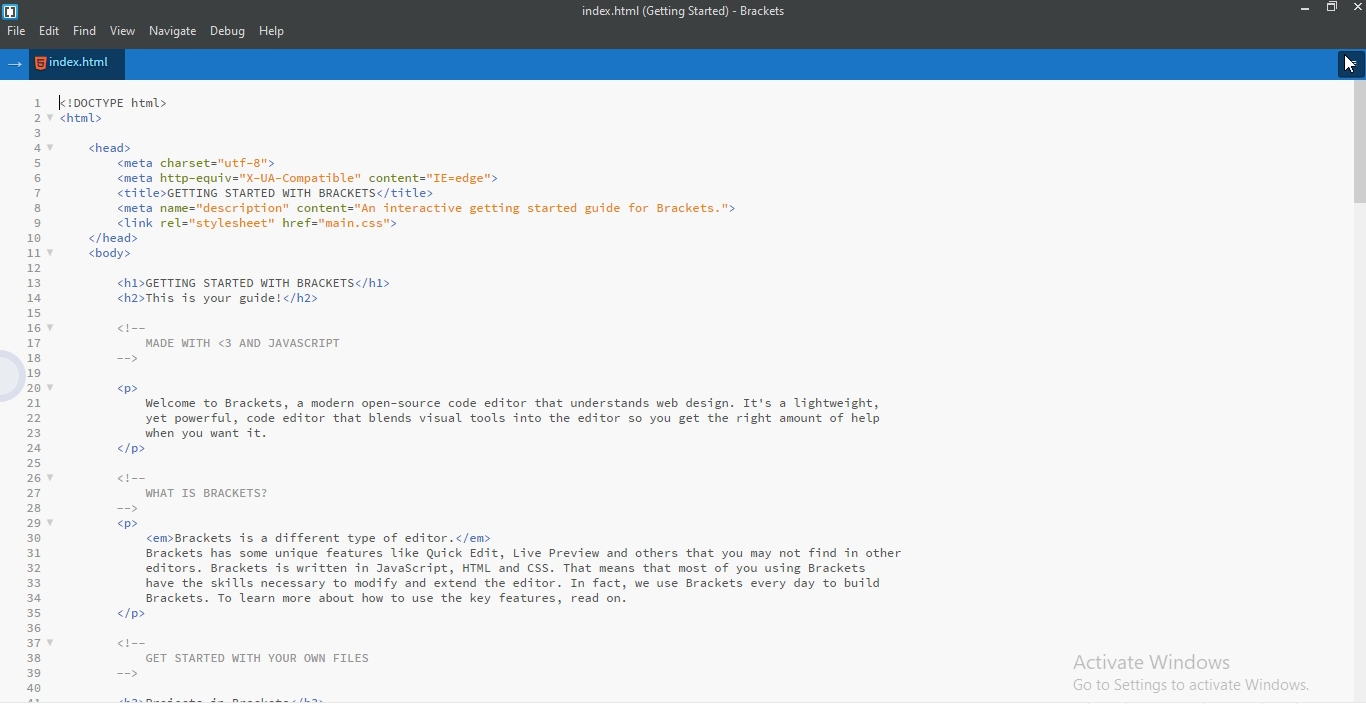 This screenshot has width=1366, height=704. Describe the element at coordinates (692, 10) in the screenshot. I see `index.html (Getting Started) - Brackets` at that location.